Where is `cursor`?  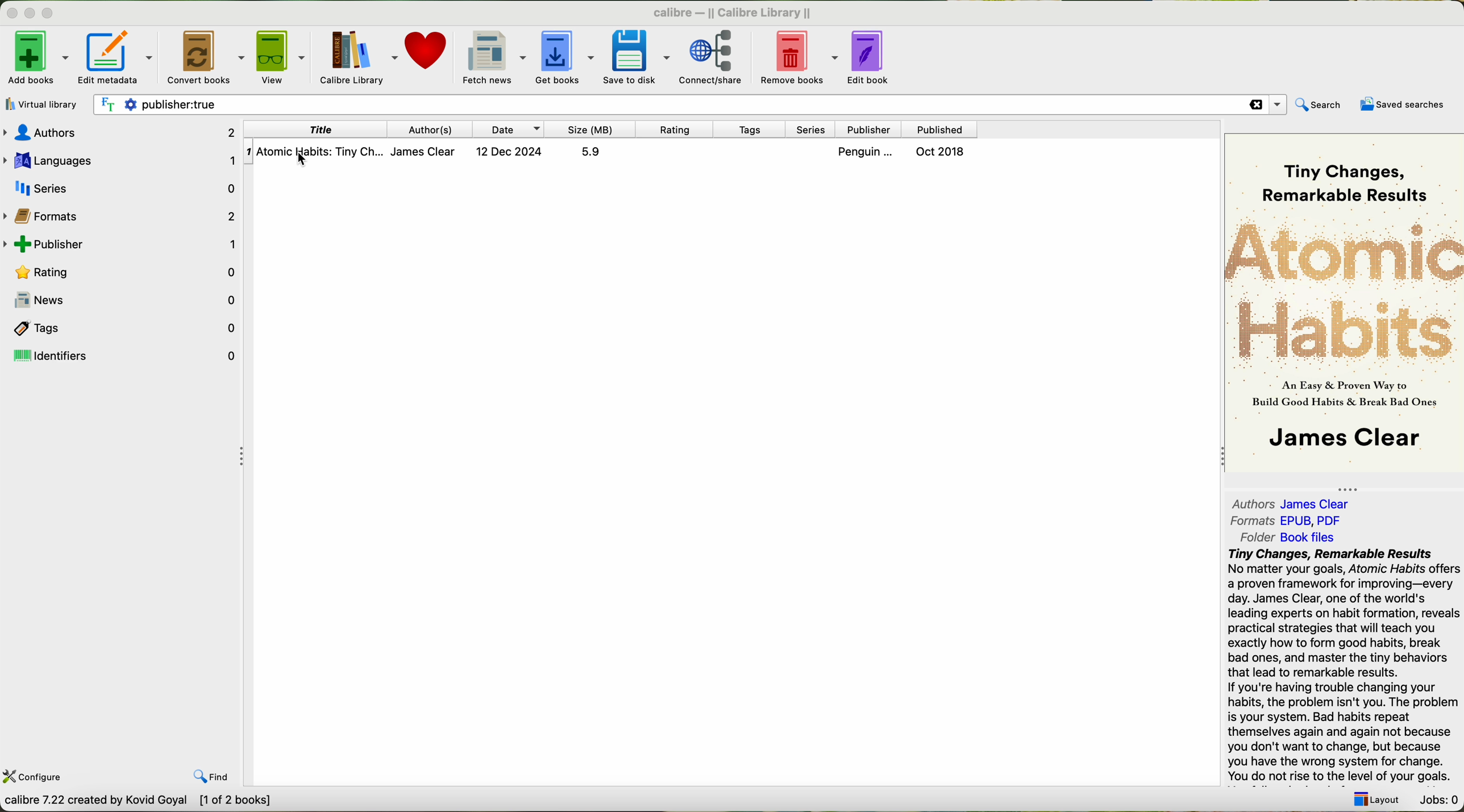 cursor is located at coordinates (305, 161).